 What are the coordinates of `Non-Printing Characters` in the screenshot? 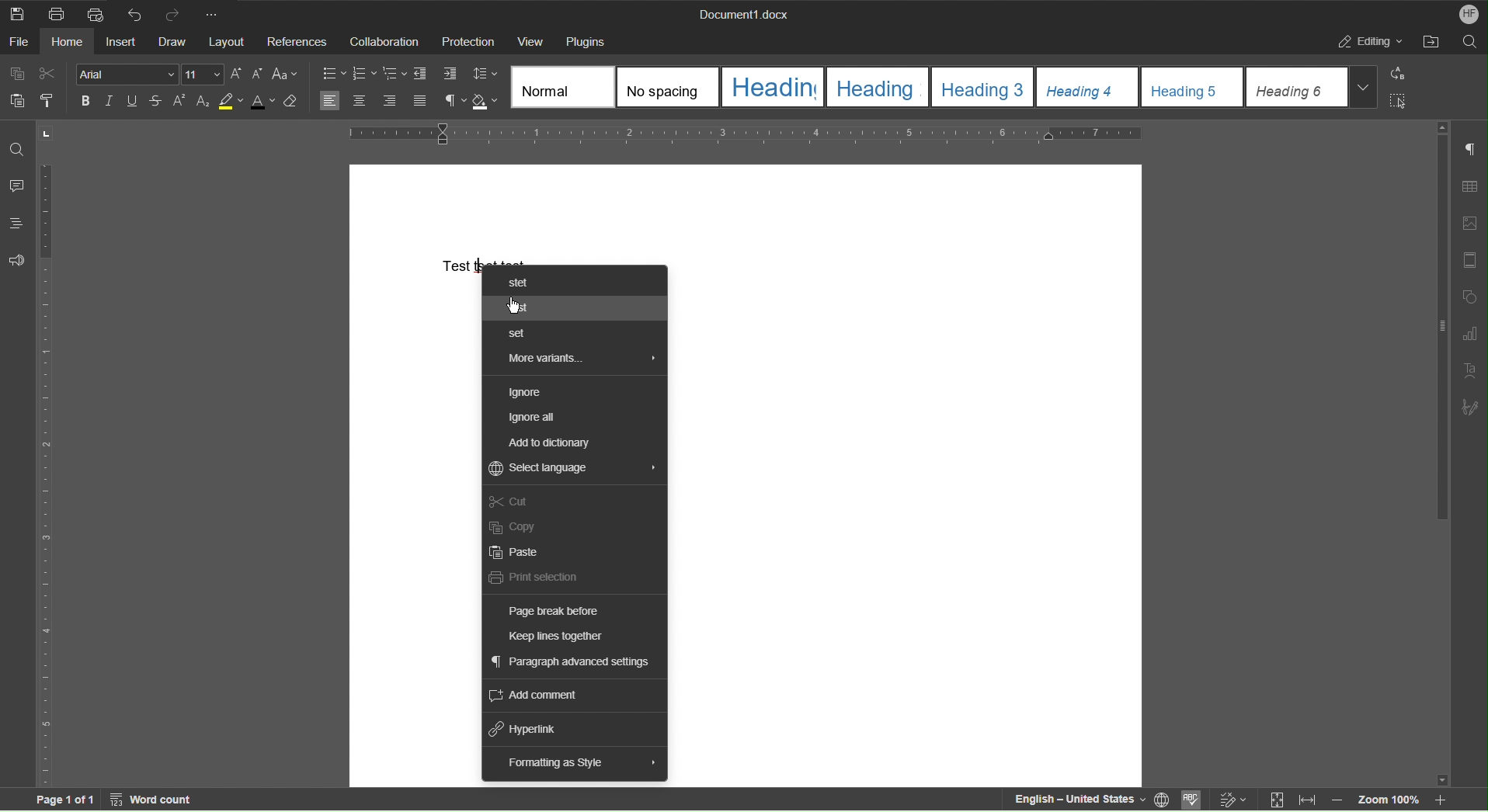 It's located at (1471, 151).